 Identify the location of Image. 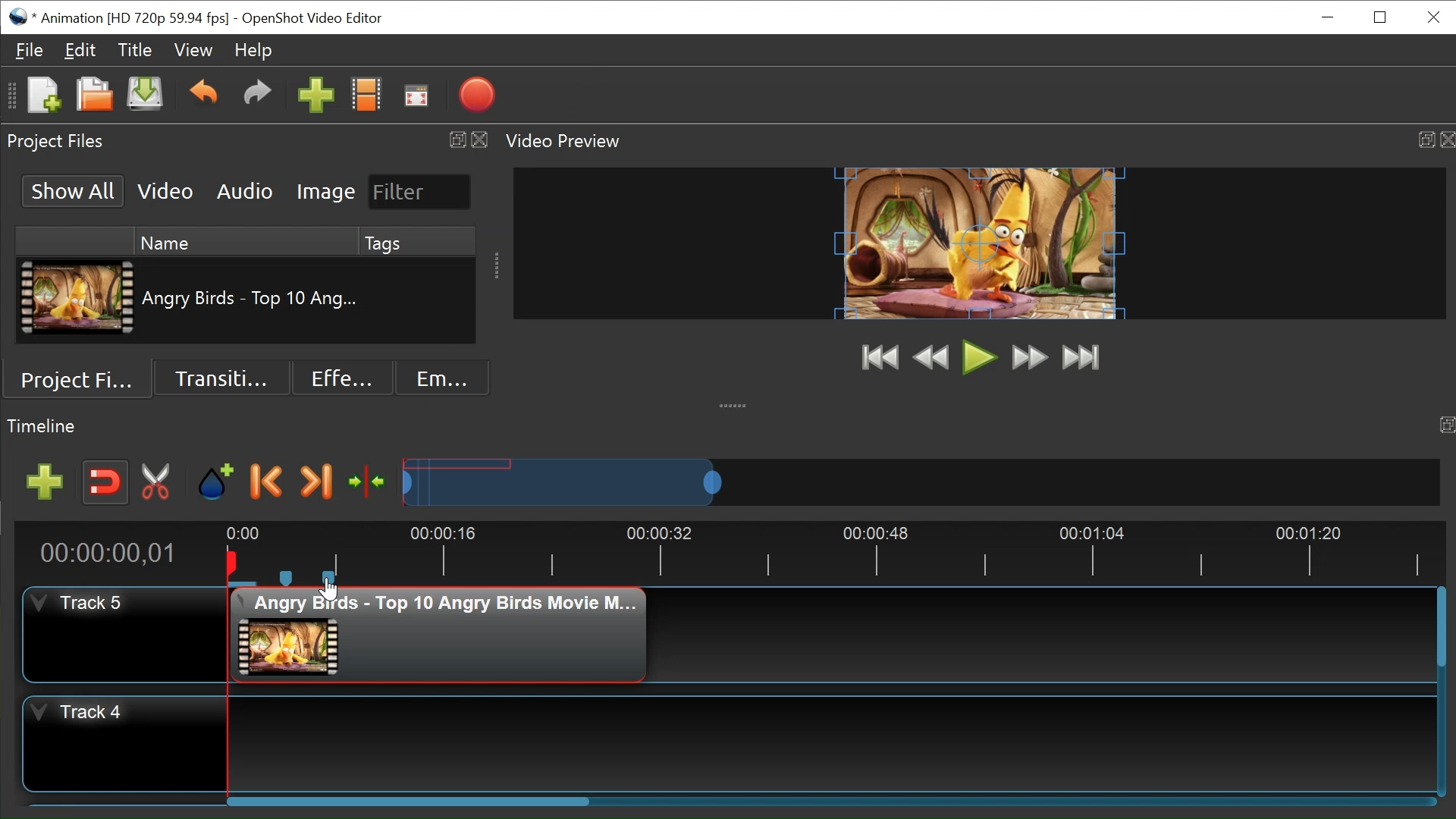
(325, 193).